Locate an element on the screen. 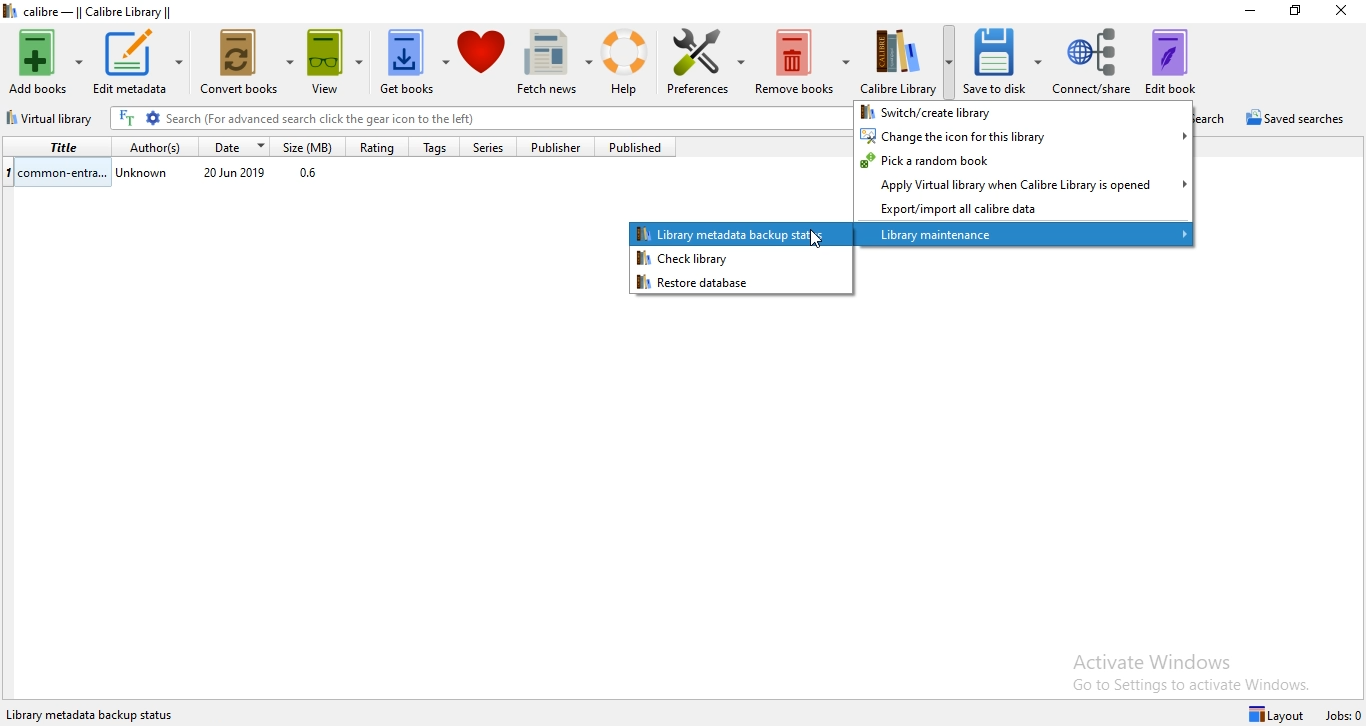 This screenshot has height=726, width=1366. 0.6 is located at coordinates (313, 175).